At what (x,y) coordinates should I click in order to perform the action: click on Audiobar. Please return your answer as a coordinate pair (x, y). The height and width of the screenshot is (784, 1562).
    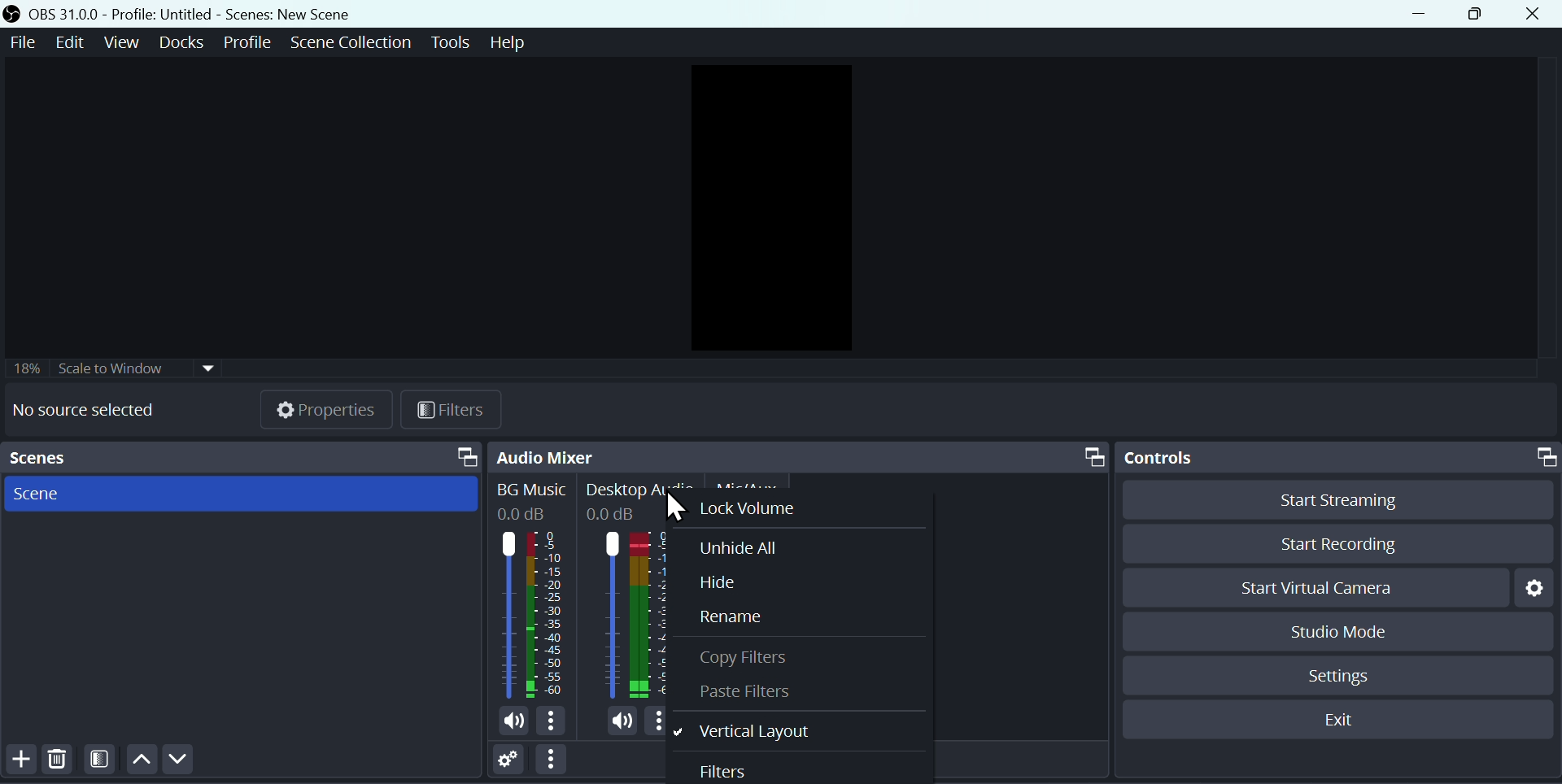
    Looking at the image, I should click on (578, 607).